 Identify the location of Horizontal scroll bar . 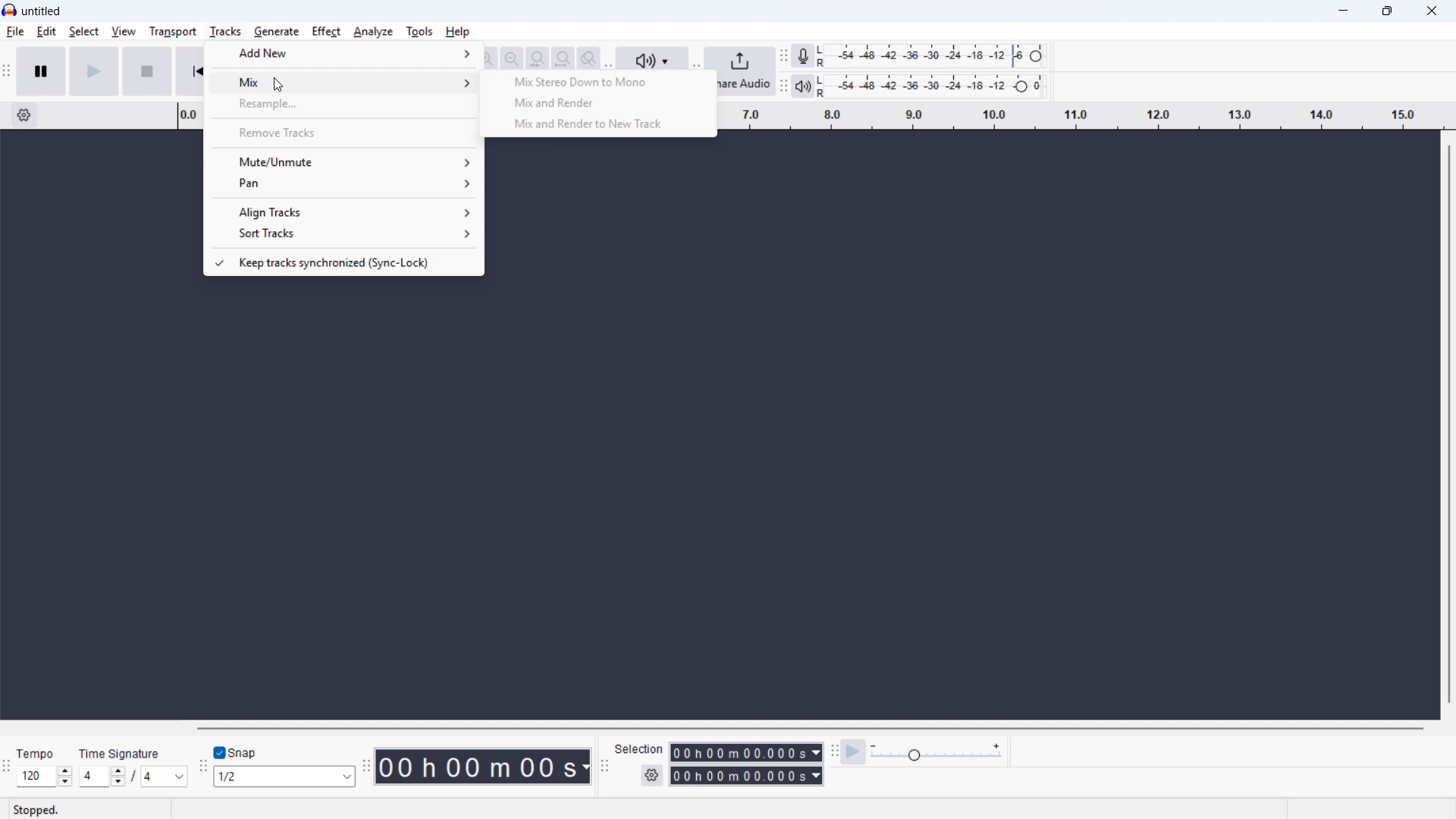
(810, 728).